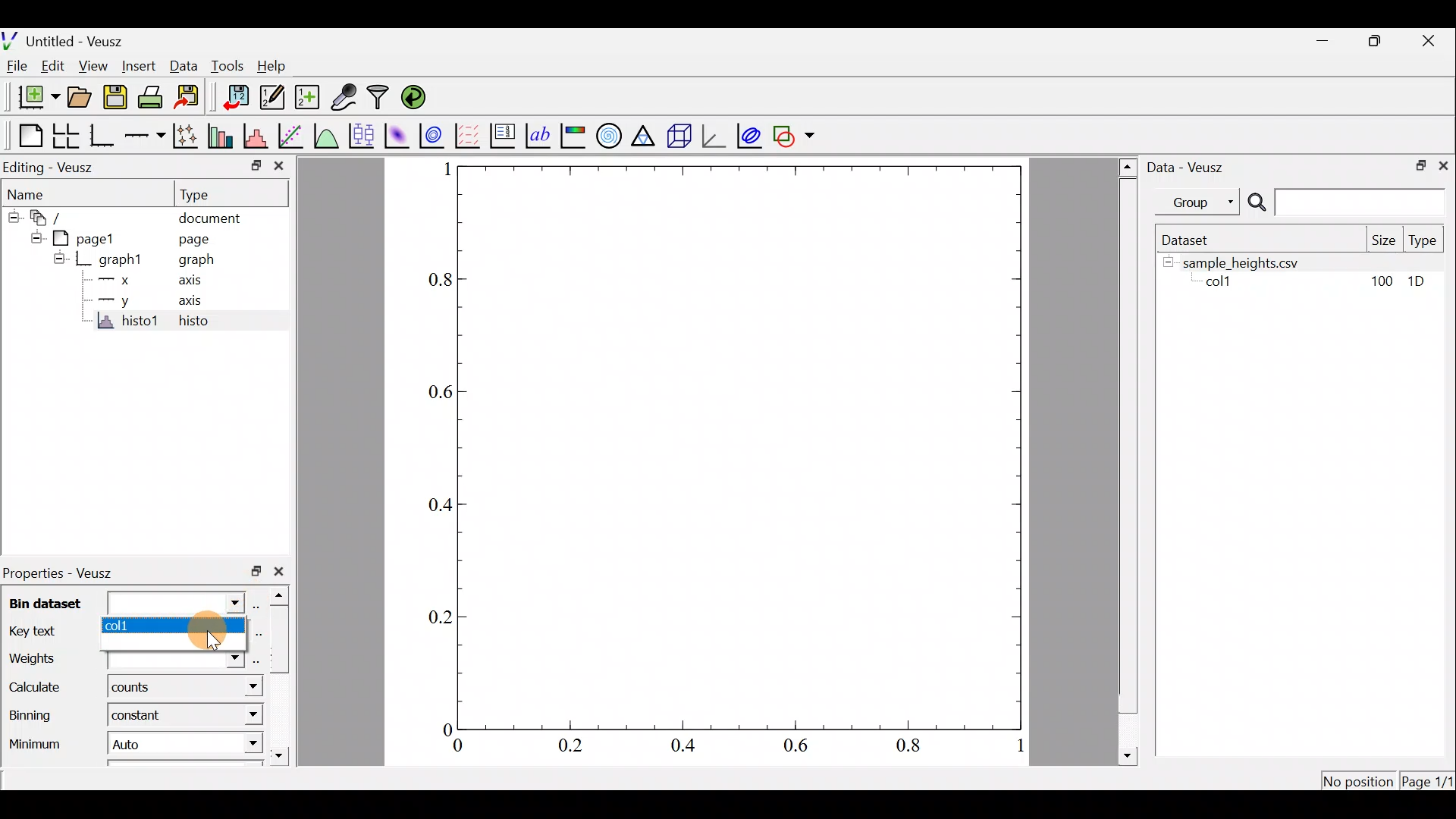 This screenshot has height=819, width=1456. Describe the element at coordinates (277, 69) in the screenshot. I see `Help` at that location.